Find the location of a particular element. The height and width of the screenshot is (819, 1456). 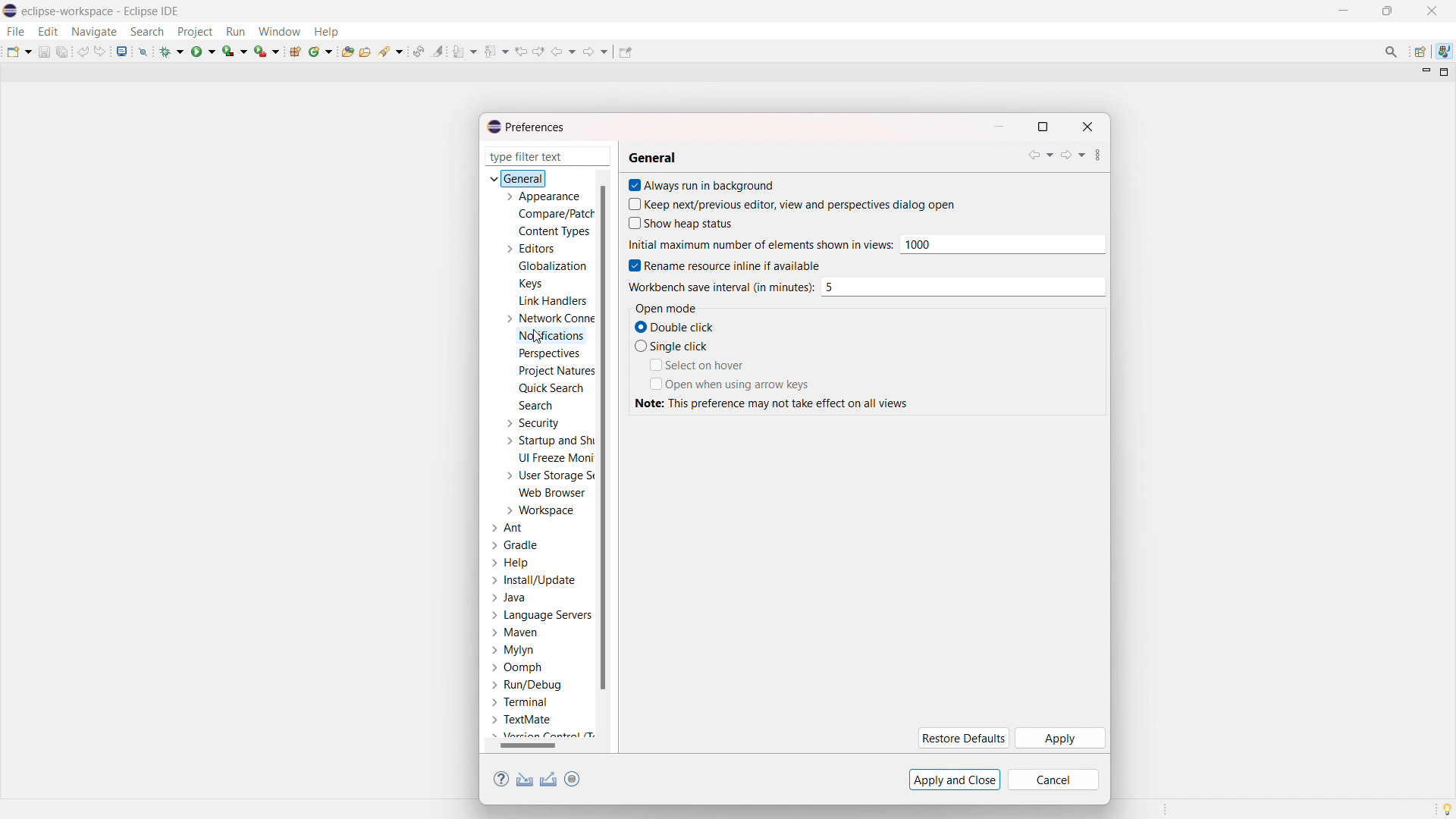

toggle ant editor auto reconcile is located at coordinates (418, 51).